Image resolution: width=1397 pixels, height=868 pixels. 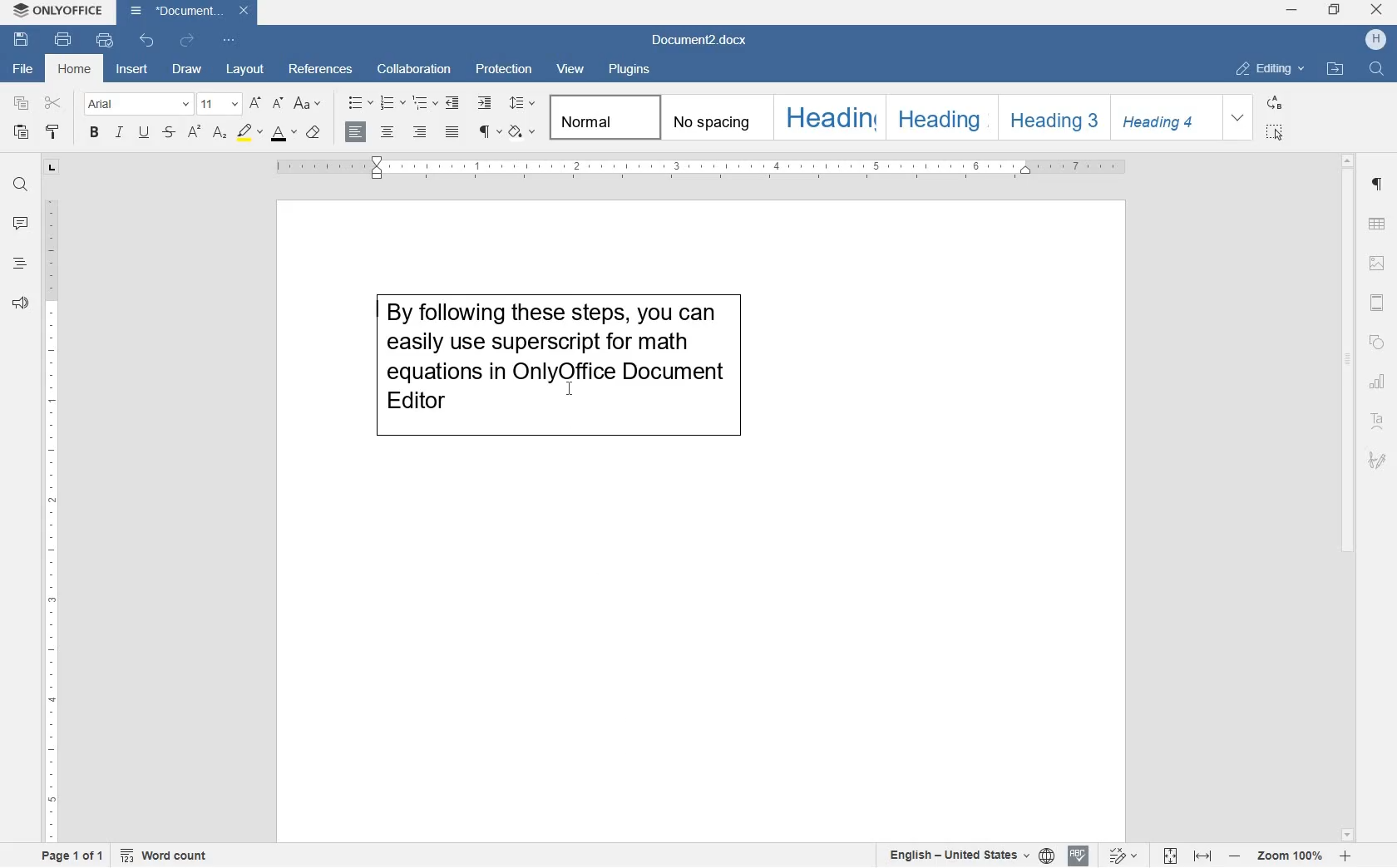 What do you see at coordinates (453, 104) in the screenshot?
I see `decrease indent` at bounding box center [453, 104].